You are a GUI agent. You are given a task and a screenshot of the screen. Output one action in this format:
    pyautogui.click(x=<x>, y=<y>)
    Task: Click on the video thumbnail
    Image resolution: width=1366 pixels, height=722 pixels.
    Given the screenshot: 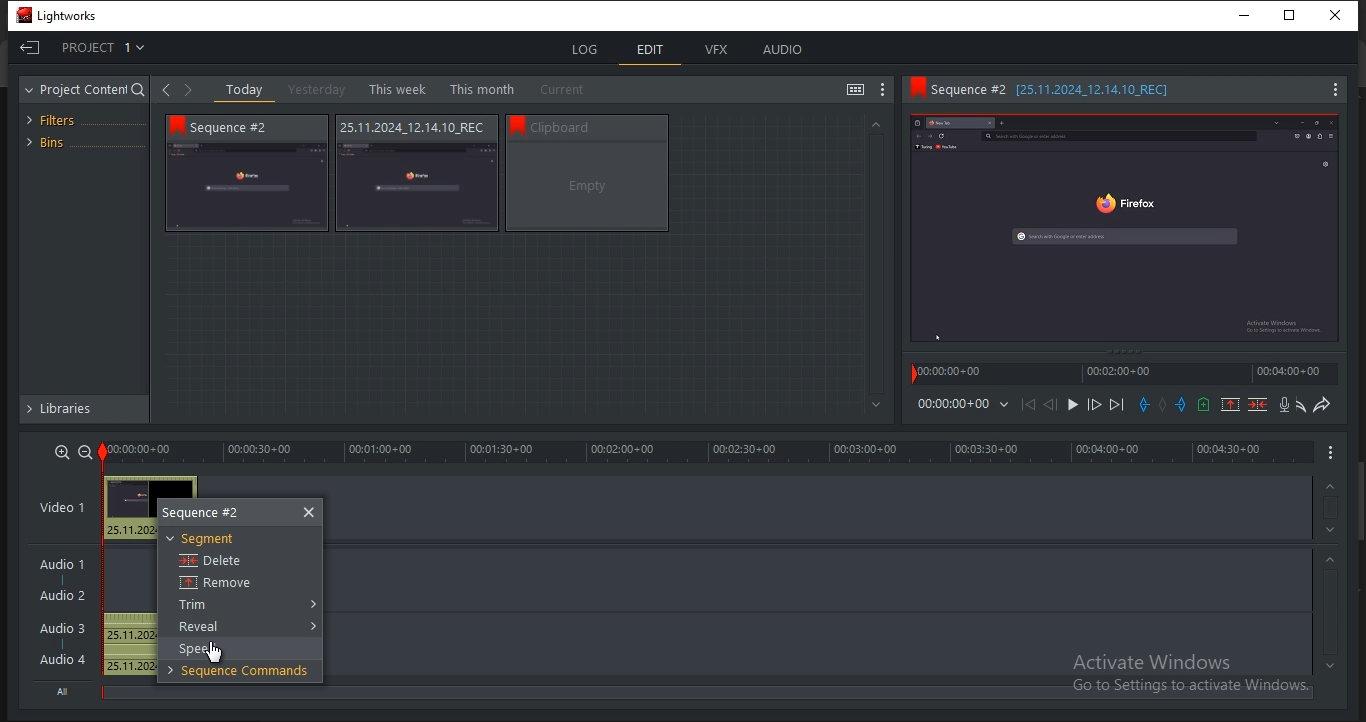 What is the action you would take?
    pyautogui.click(x=419, y=187)
    